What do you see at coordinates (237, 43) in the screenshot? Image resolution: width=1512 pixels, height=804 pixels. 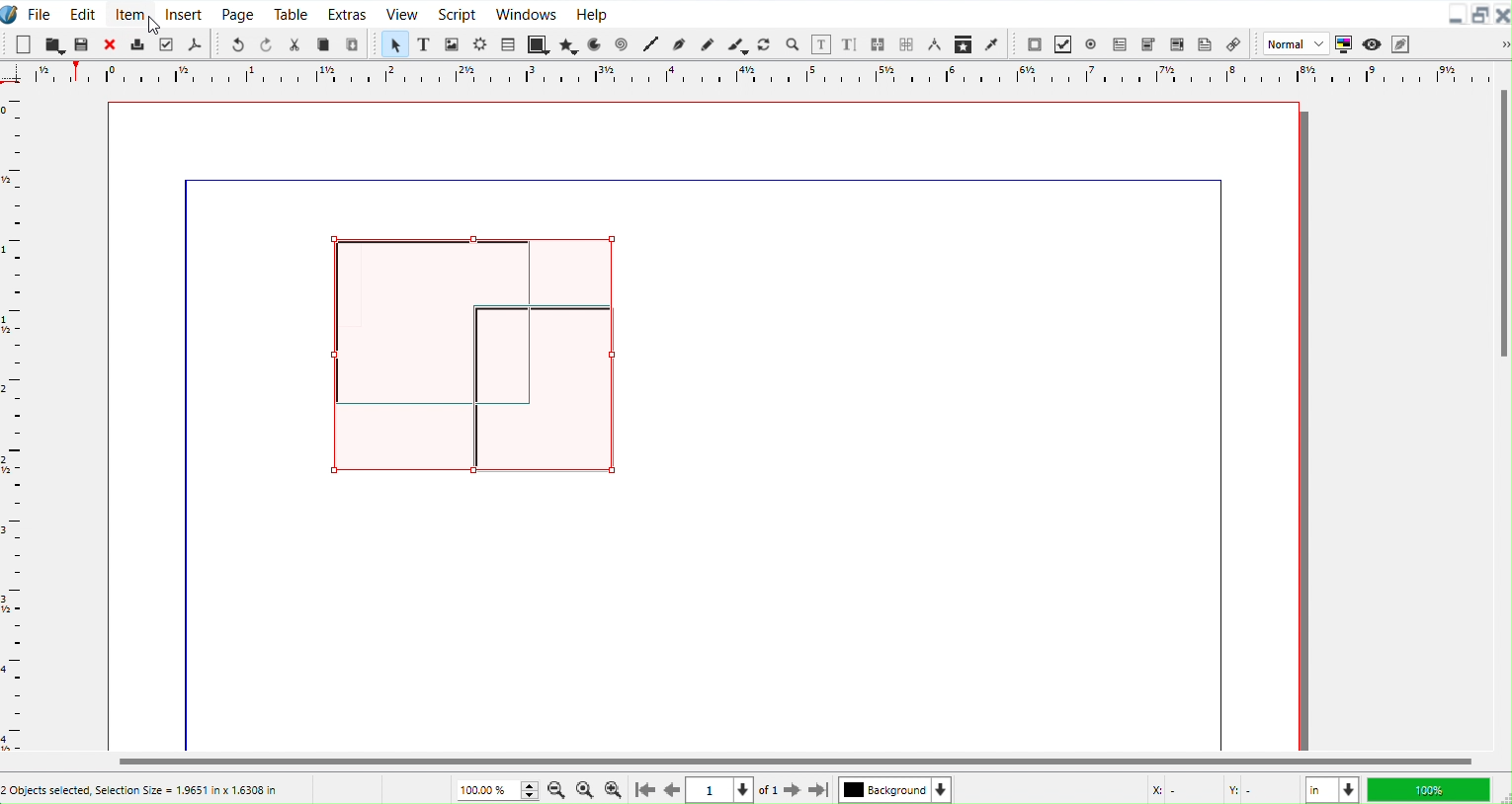 I see `Undo` at bounding box center [237, 43].